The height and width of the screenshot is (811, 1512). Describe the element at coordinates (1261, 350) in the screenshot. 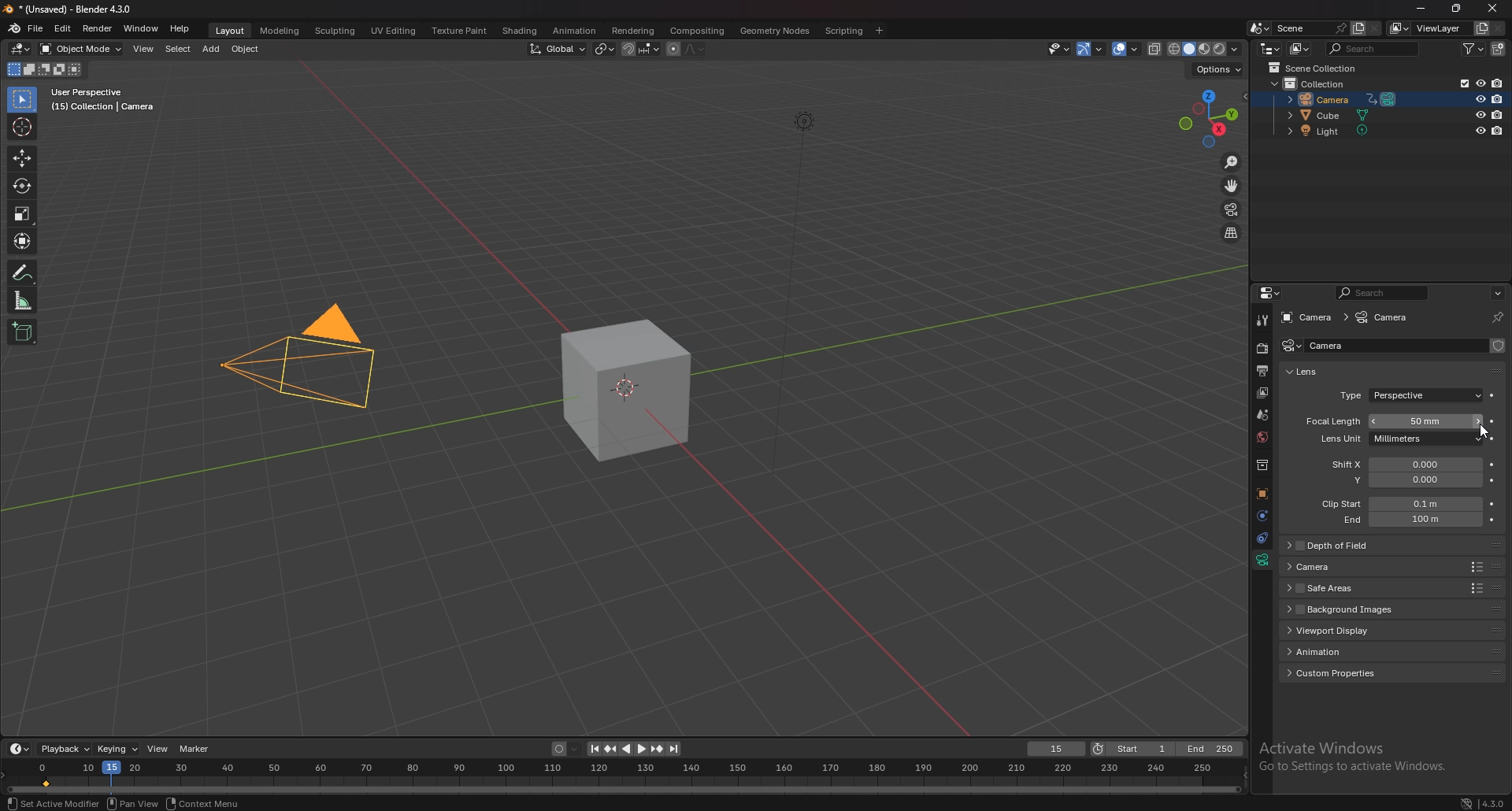

I see `render` at that location.